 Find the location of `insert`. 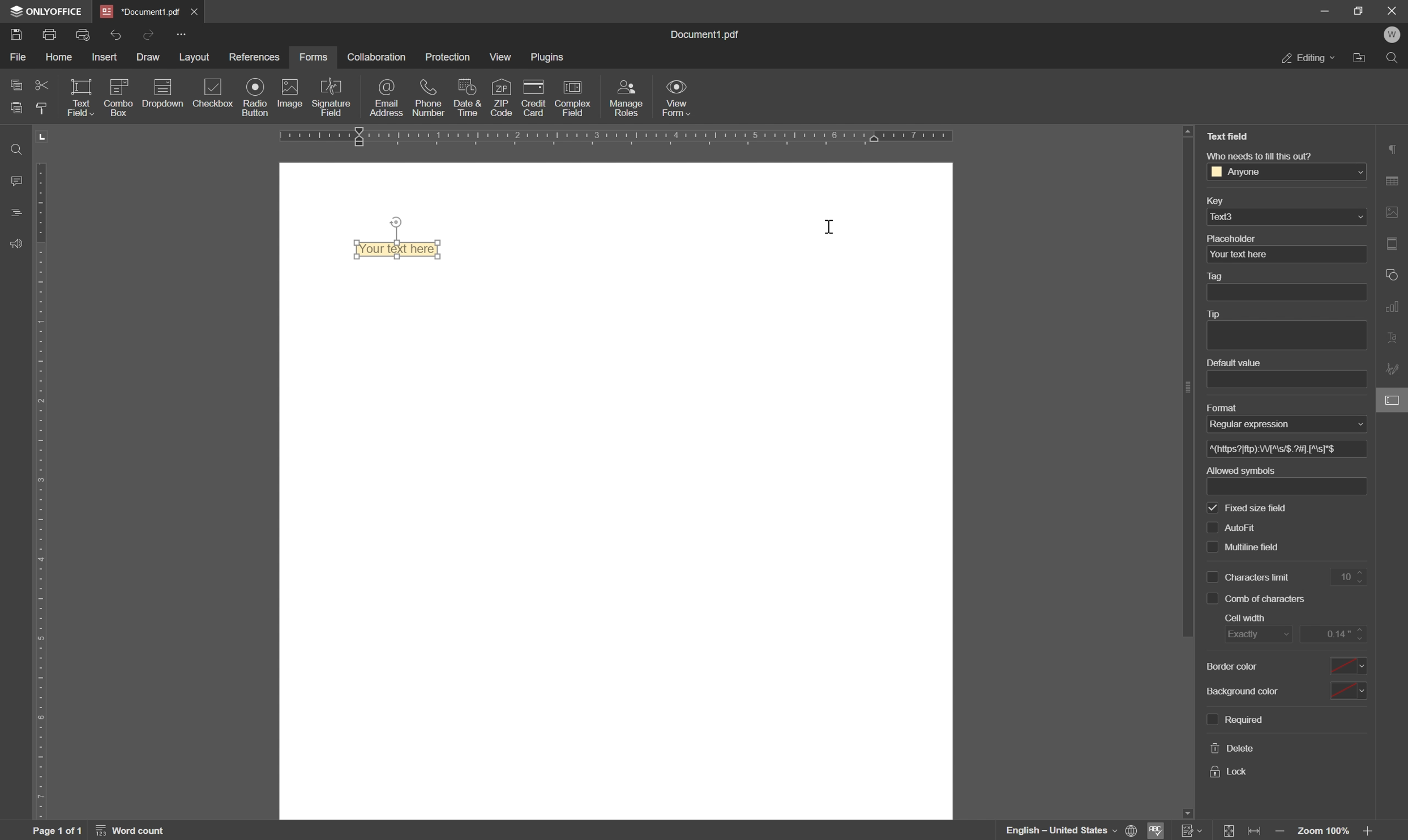

insert is located at coordinates (109, 57).